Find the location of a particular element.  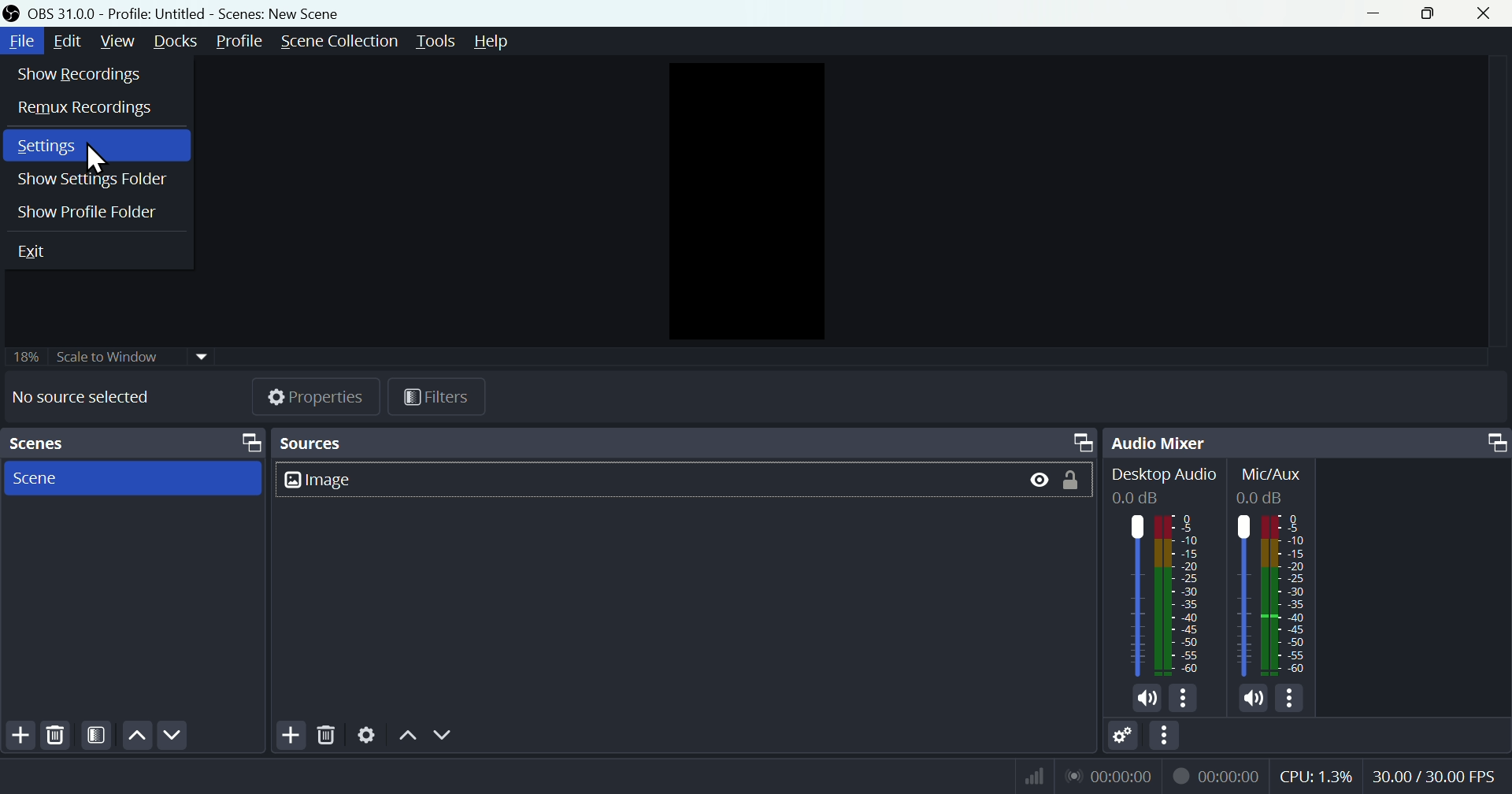

Performance bar paanchala is located at coordinates (1394, 779).